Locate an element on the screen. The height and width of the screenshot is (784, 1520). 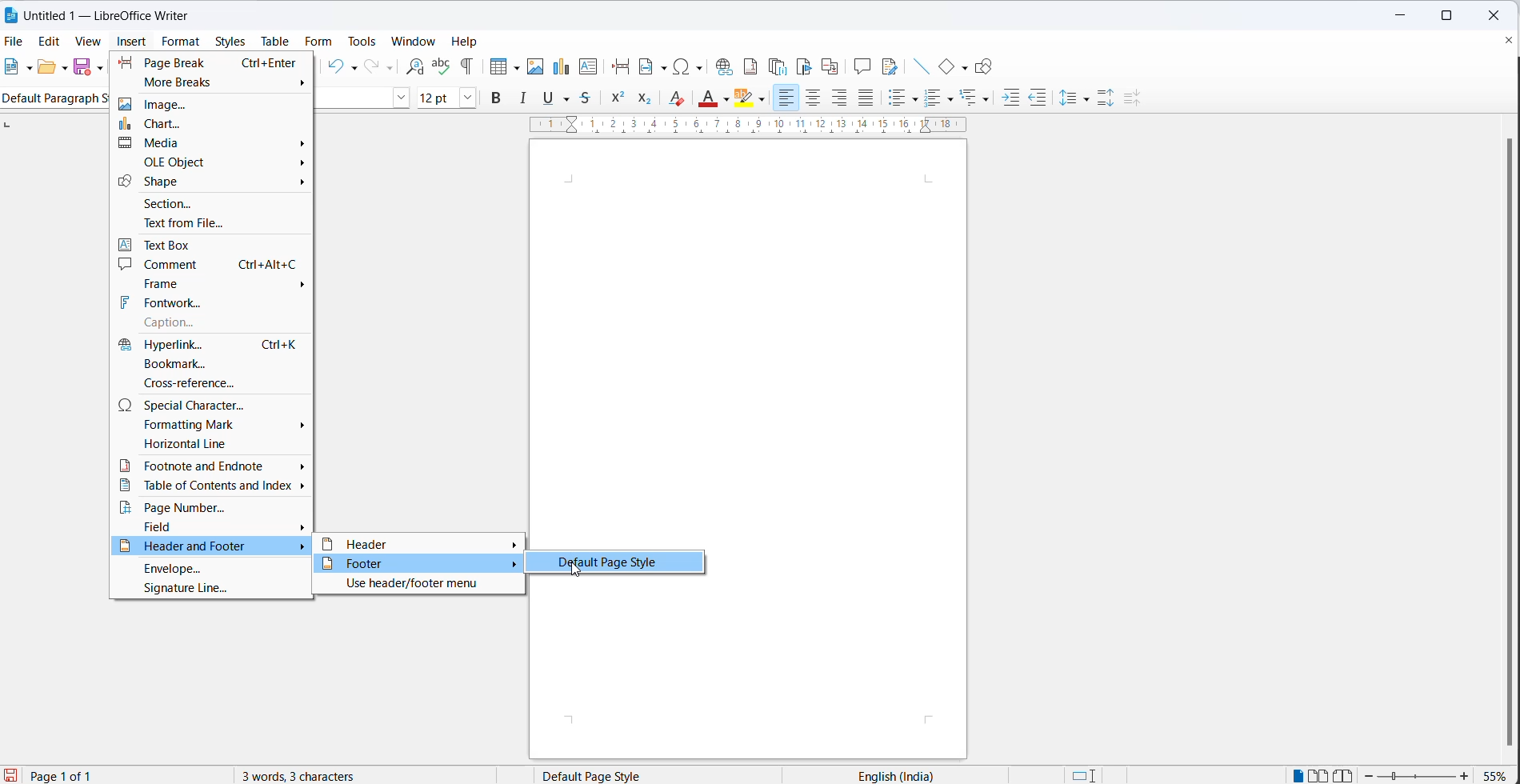
line spacing is located at coordinates (1068, 94).